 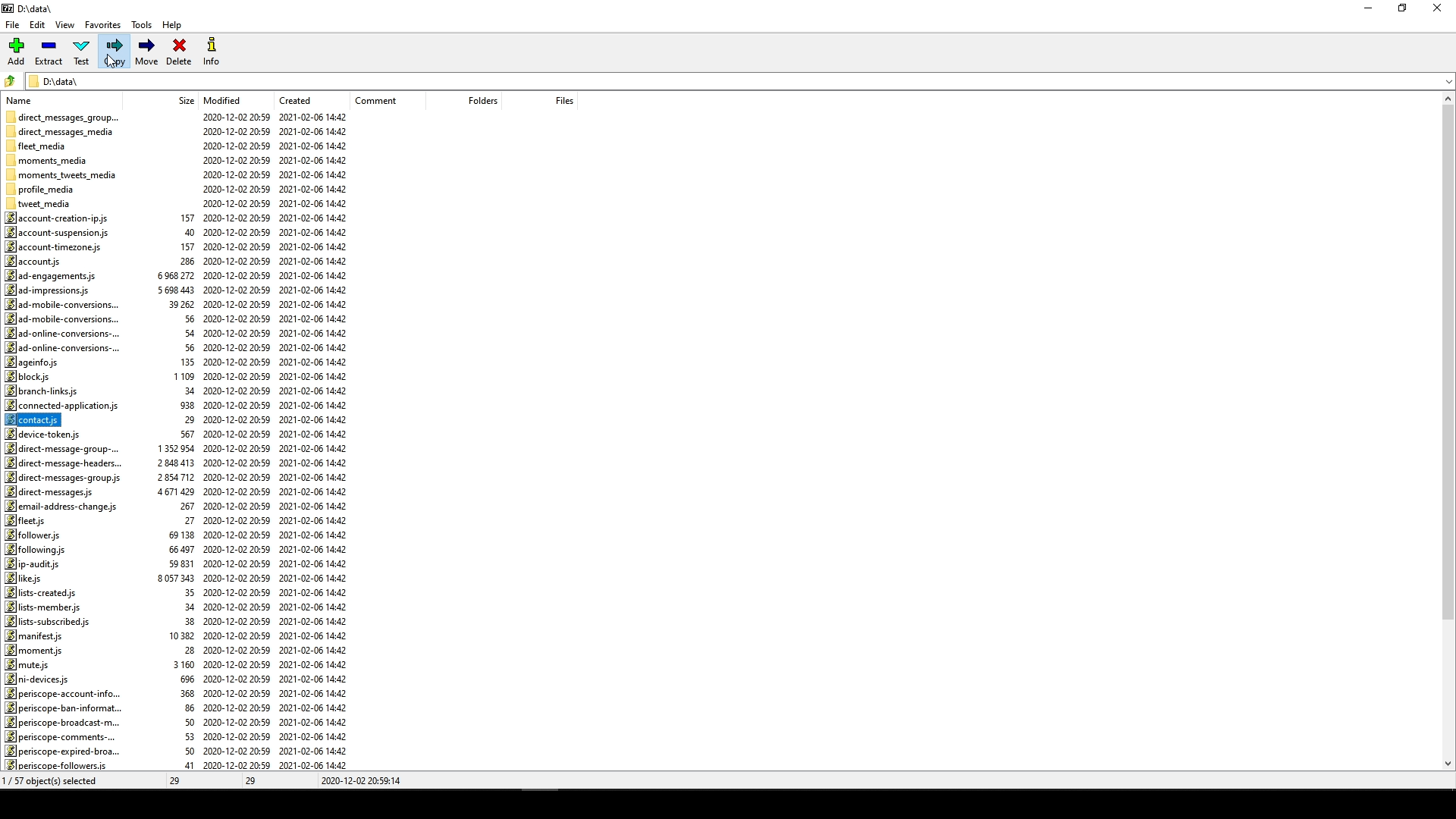 I want to click on Edit, so click(x=37, y=24).